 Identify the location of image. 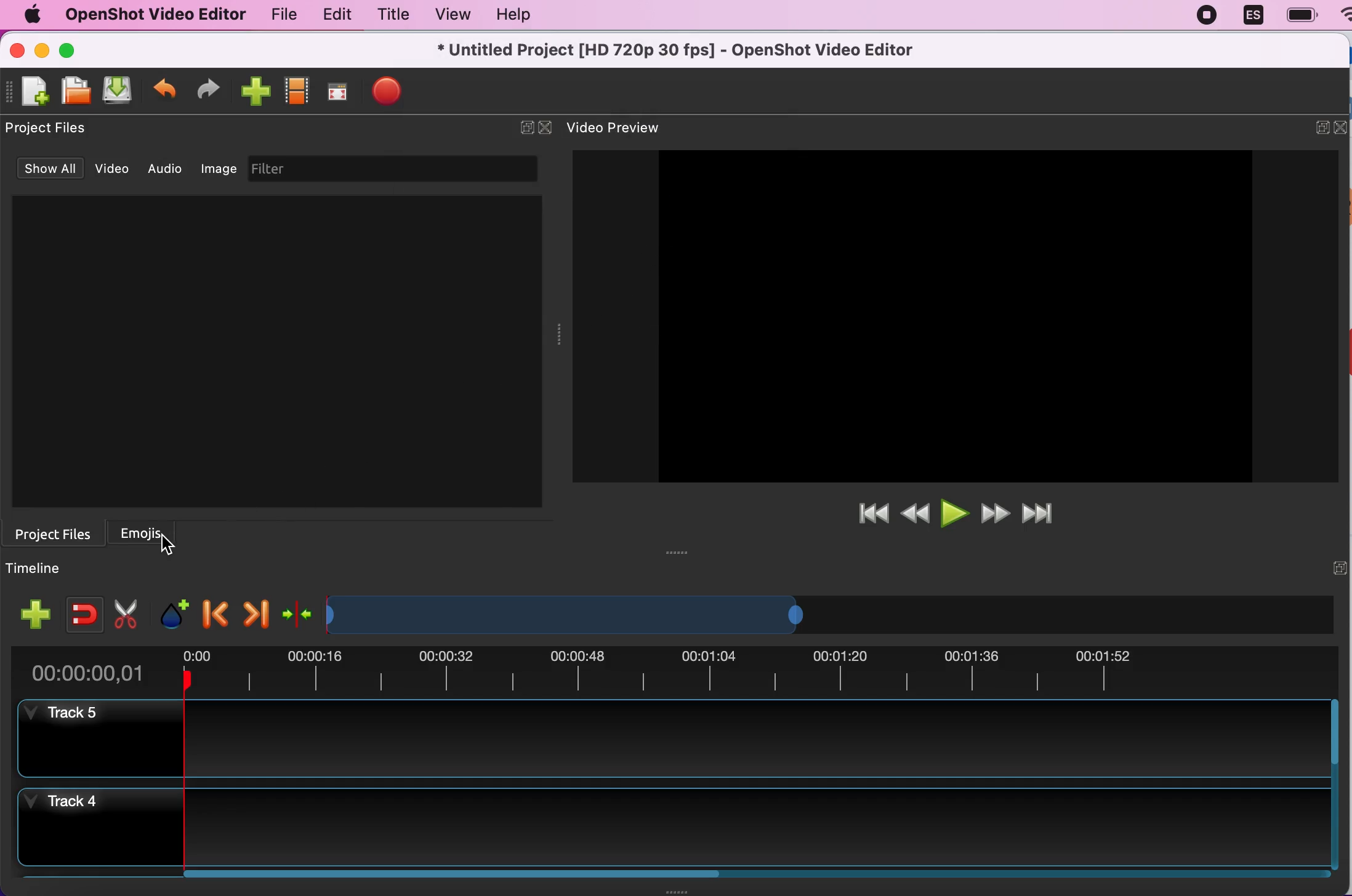
(220, 167).